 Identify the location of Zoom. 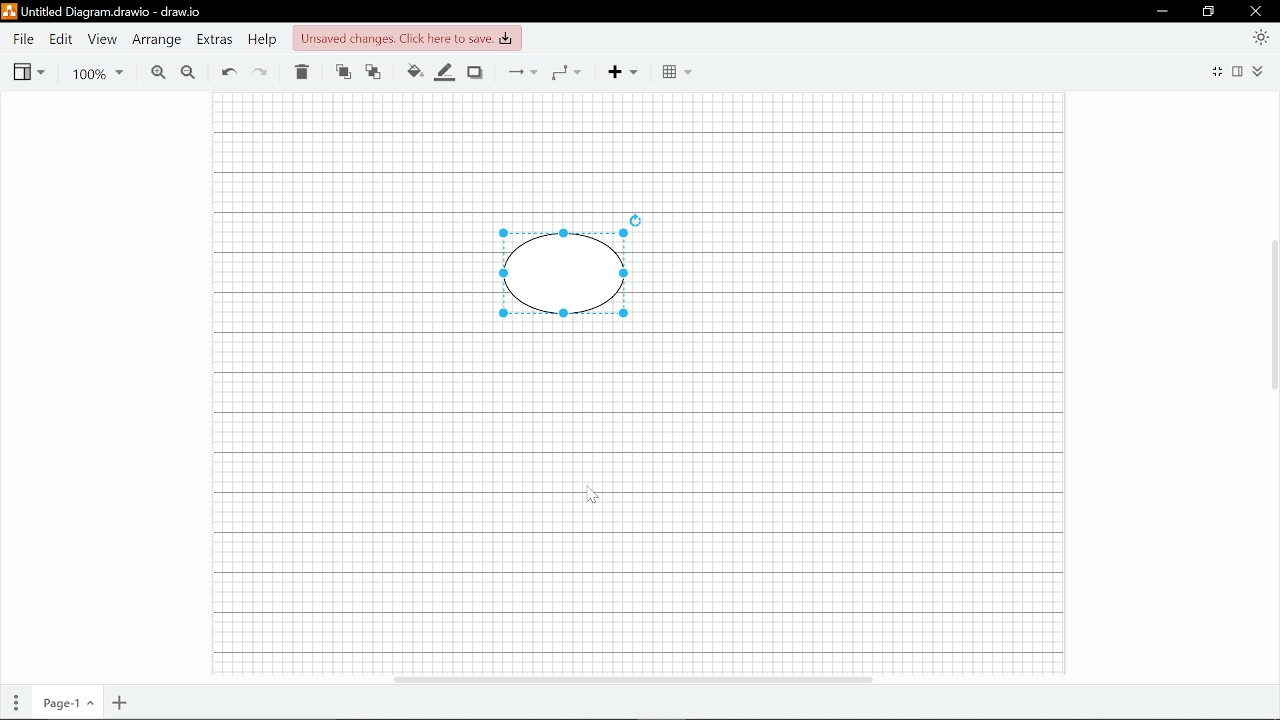
(93, 73).